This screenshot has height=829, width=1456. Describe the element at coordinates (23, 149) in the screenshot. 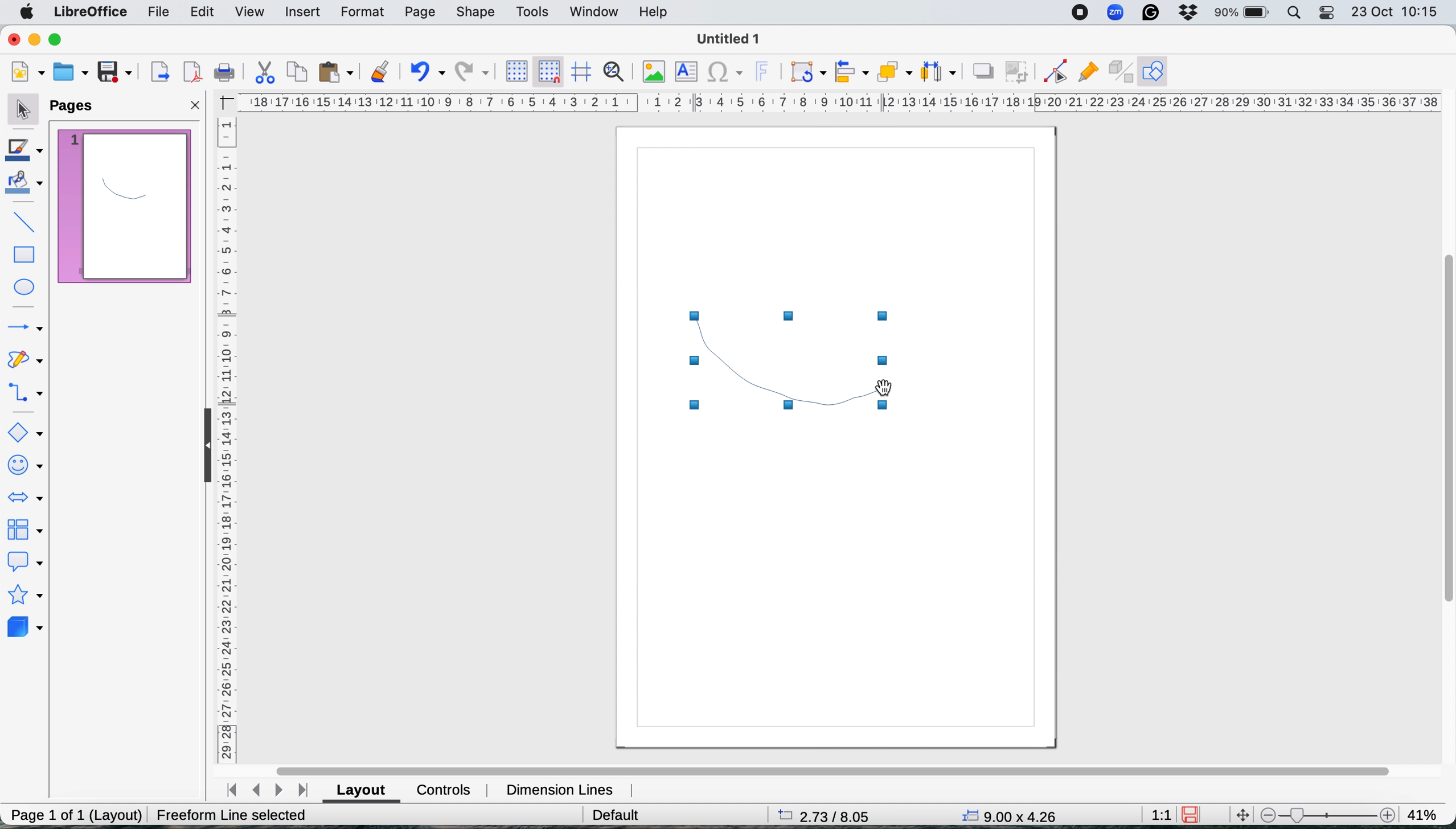

I see `line color` at that location.